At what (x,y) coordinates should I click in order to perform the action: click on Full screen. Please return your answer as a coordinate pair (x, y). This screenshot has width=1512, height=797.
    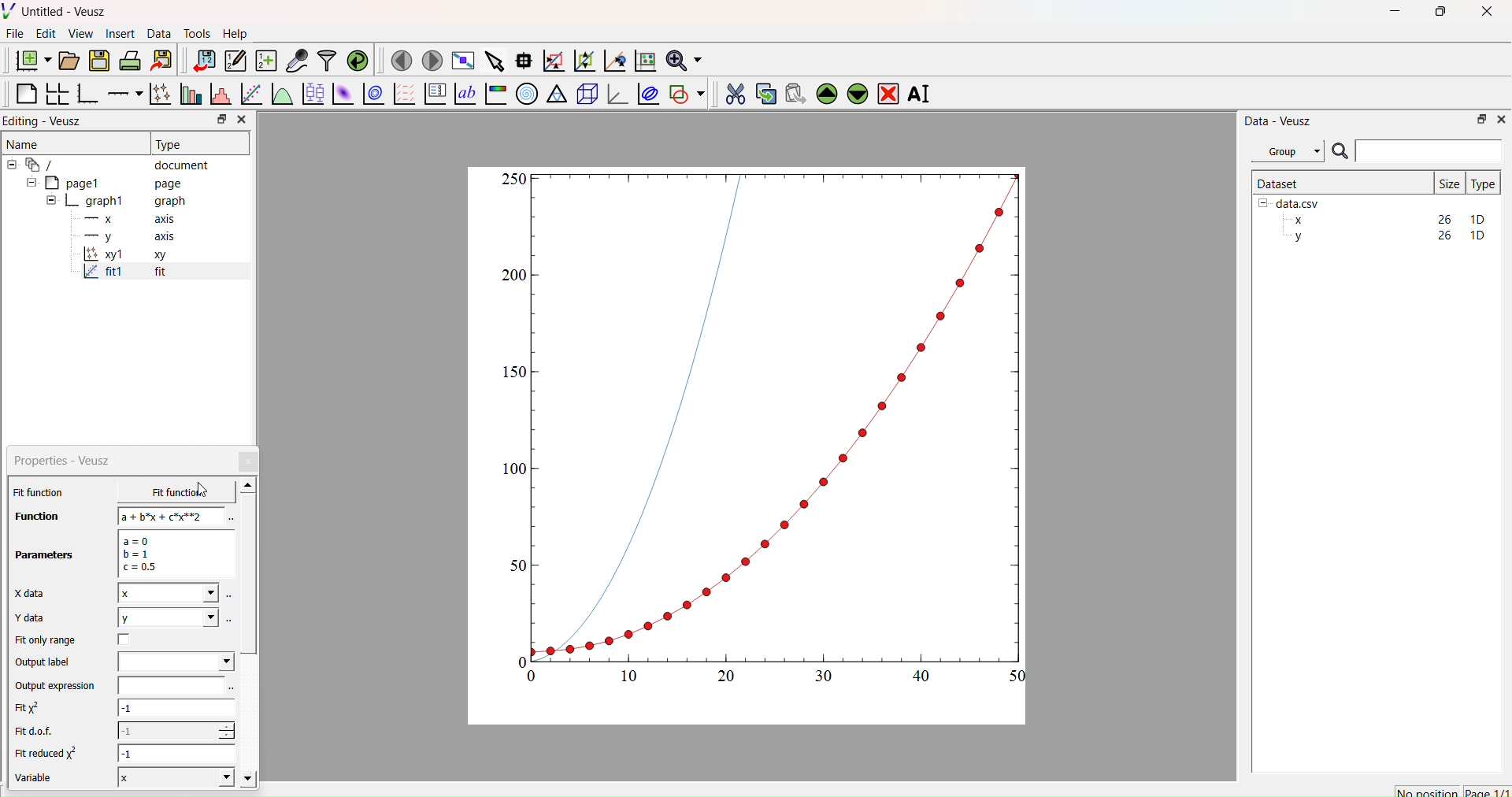
    Looking at the image, I should click on (460, 61).